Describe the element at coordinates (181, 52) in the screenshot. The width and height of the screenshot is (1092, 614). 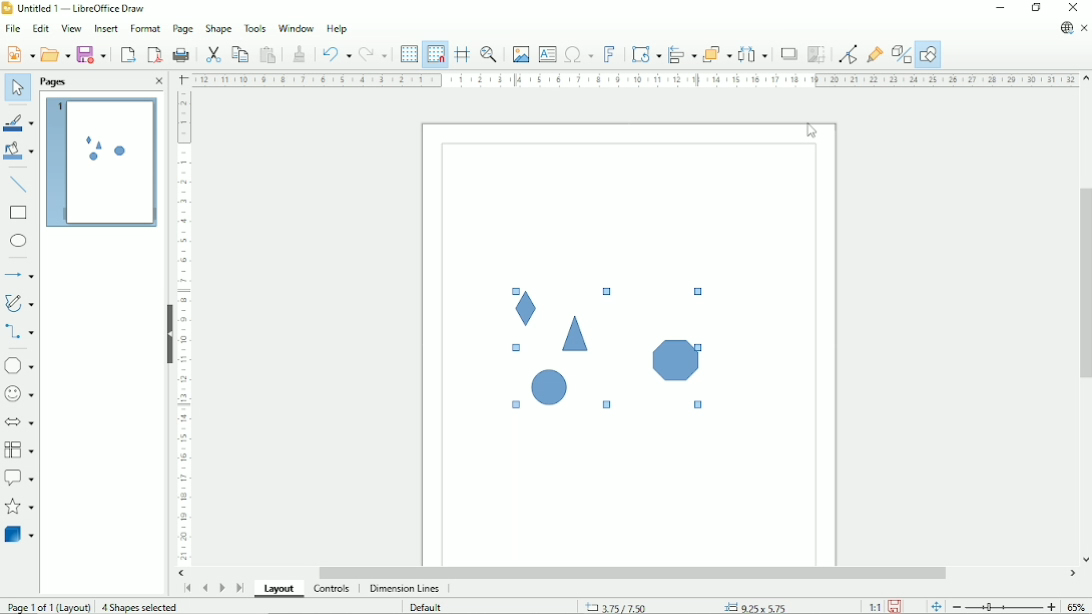
I see `Print` at that location.